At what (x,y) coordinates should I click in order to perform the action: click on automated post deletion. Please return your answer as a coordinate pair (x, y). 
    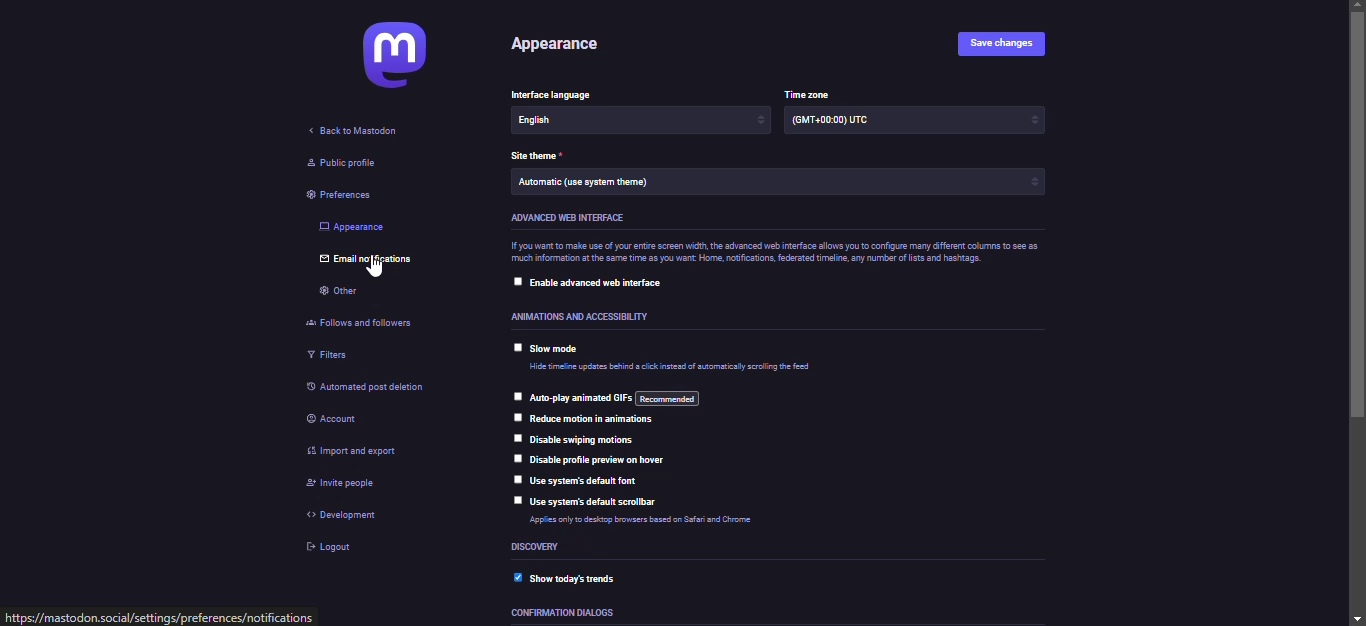
    Looking at the image, I should click on (376, 390).